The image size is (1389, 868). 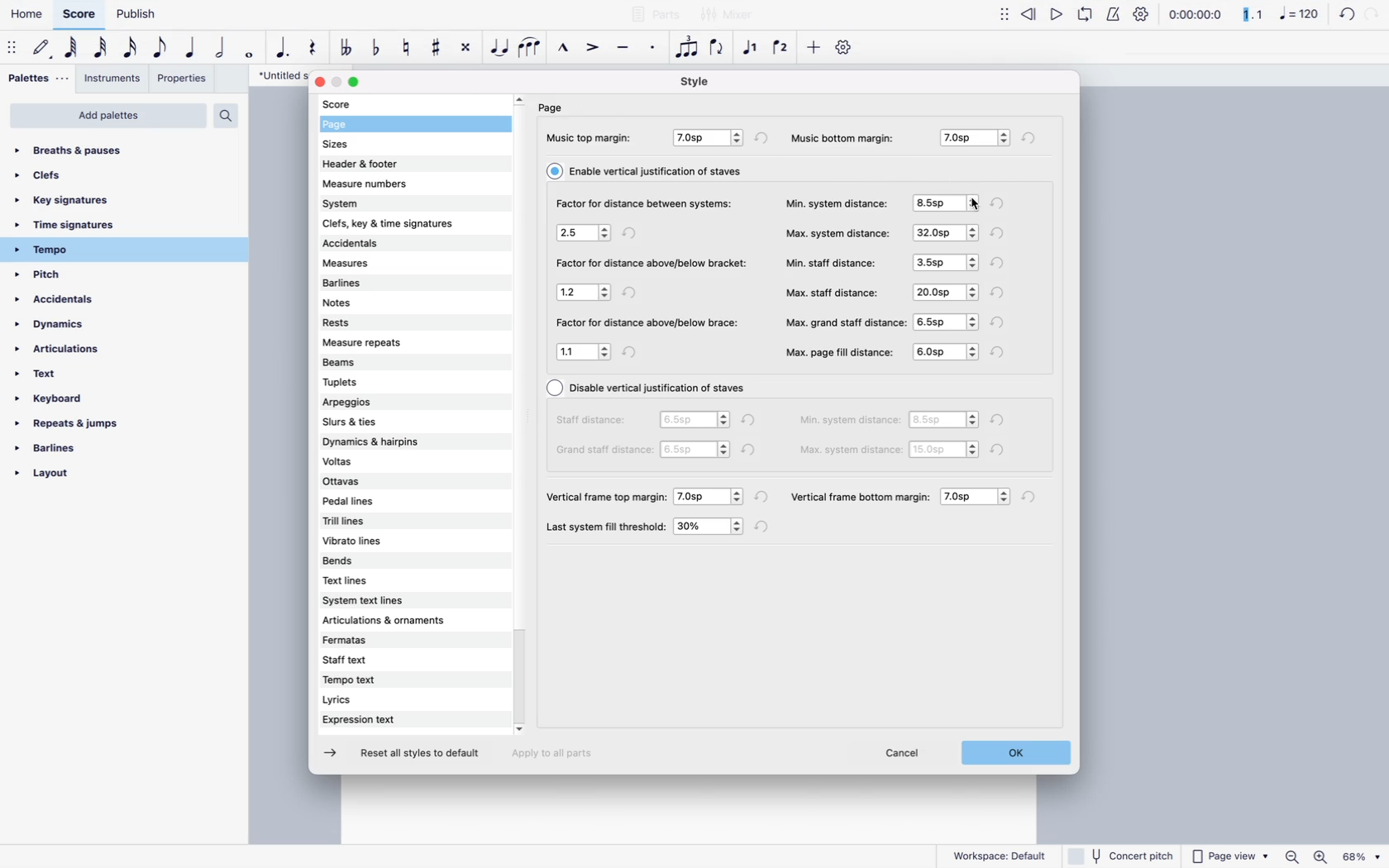 I want to click on style, so click(x=694, y=81).